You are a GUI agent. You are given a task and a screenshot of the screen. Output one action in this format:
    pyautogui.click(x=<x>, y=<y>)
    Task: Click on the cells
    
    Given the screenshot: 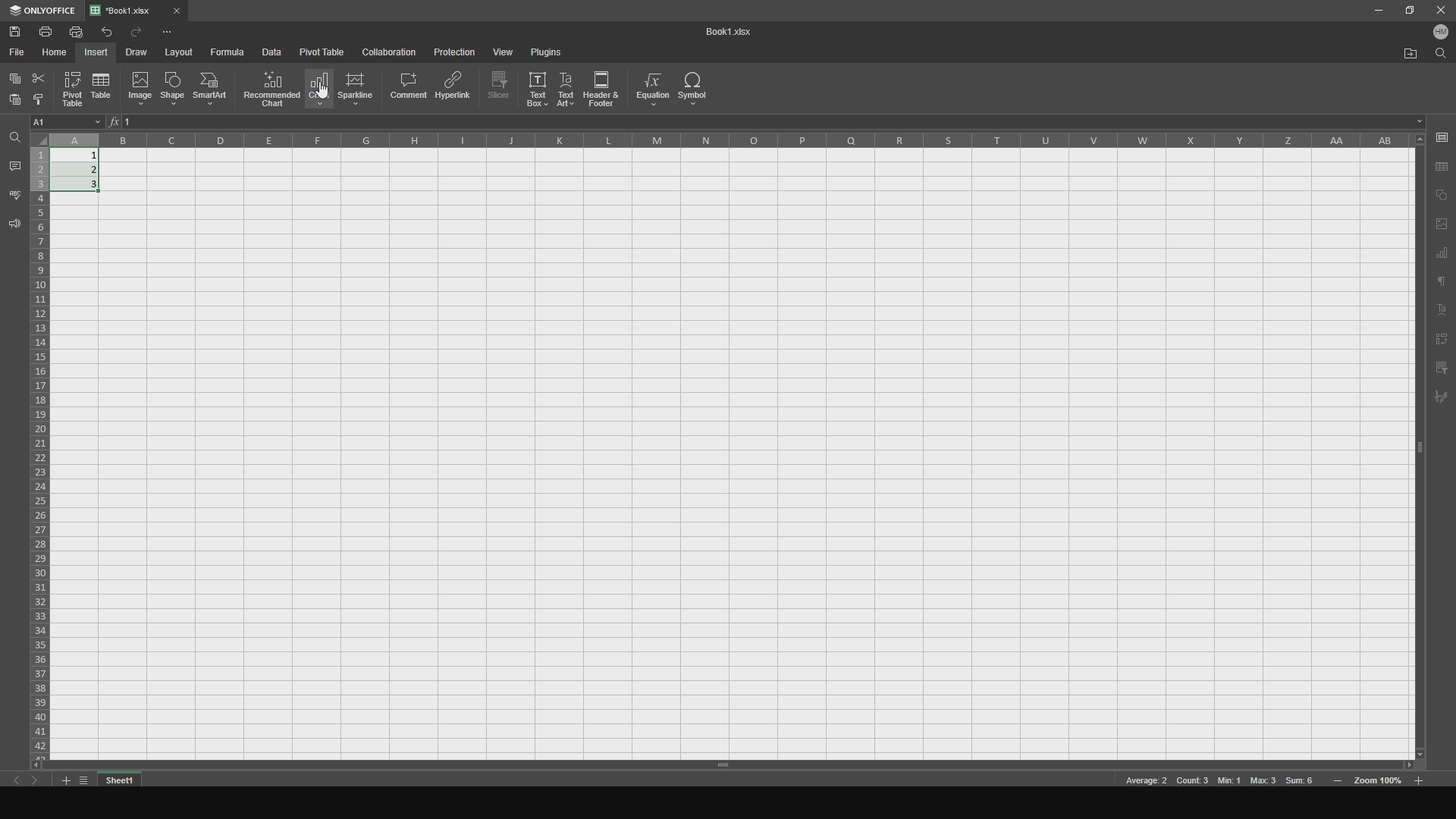 What is the action you would take?
    pyautogui.click(x=39, y=445)
    